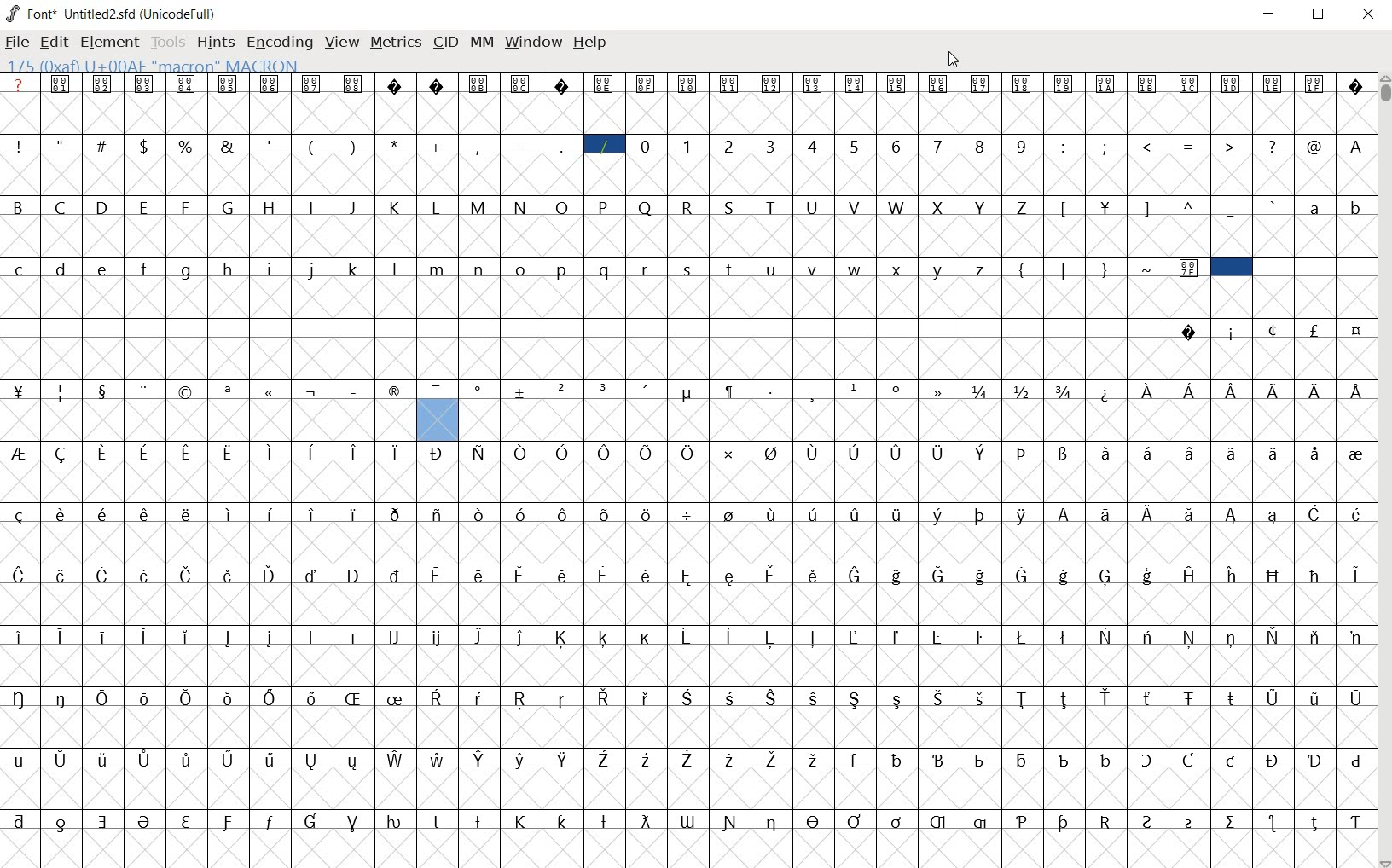 The width and height of the screenshot is (1392, 868). I want to click on Symbol, so click(229, 84).